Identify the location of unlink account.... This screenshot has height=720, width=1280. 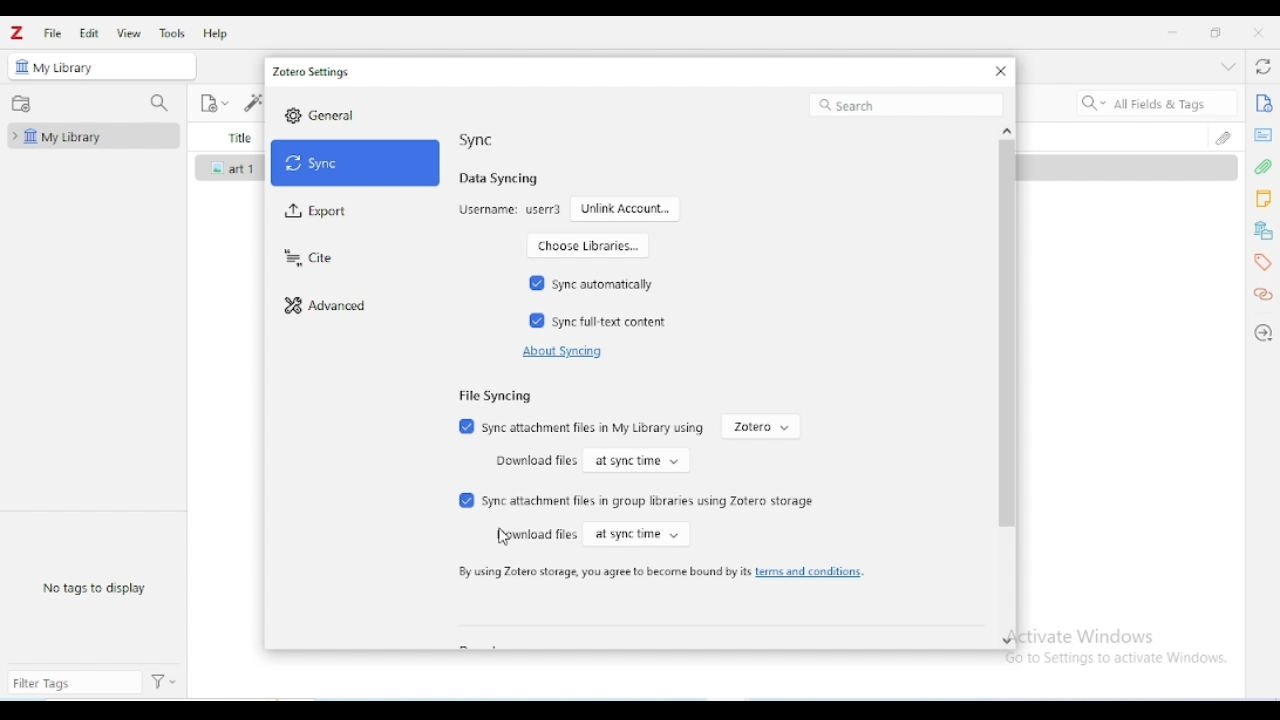
(626, 208).